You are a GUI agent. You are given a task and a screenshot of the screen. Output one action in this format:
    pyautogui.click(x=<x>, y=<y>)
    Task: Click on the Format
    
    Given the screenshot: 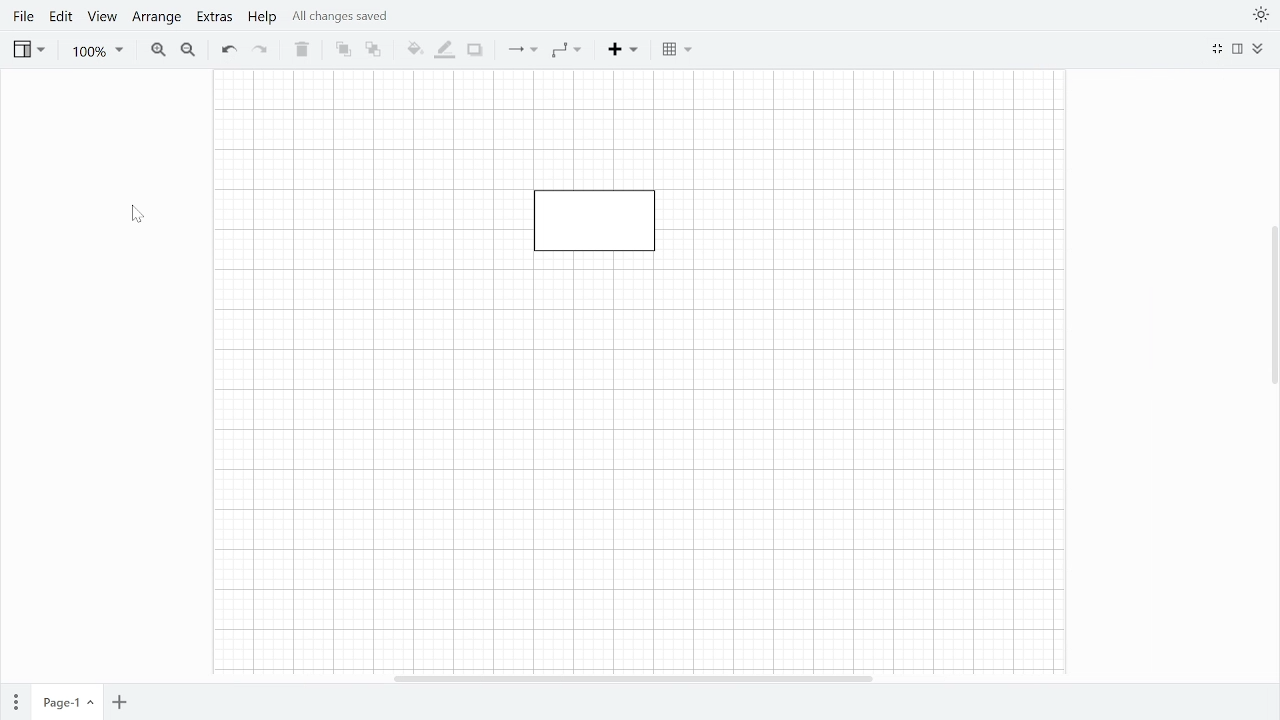 What is the action you would take?
    pyautogui.click(x=1242, y=50)
    